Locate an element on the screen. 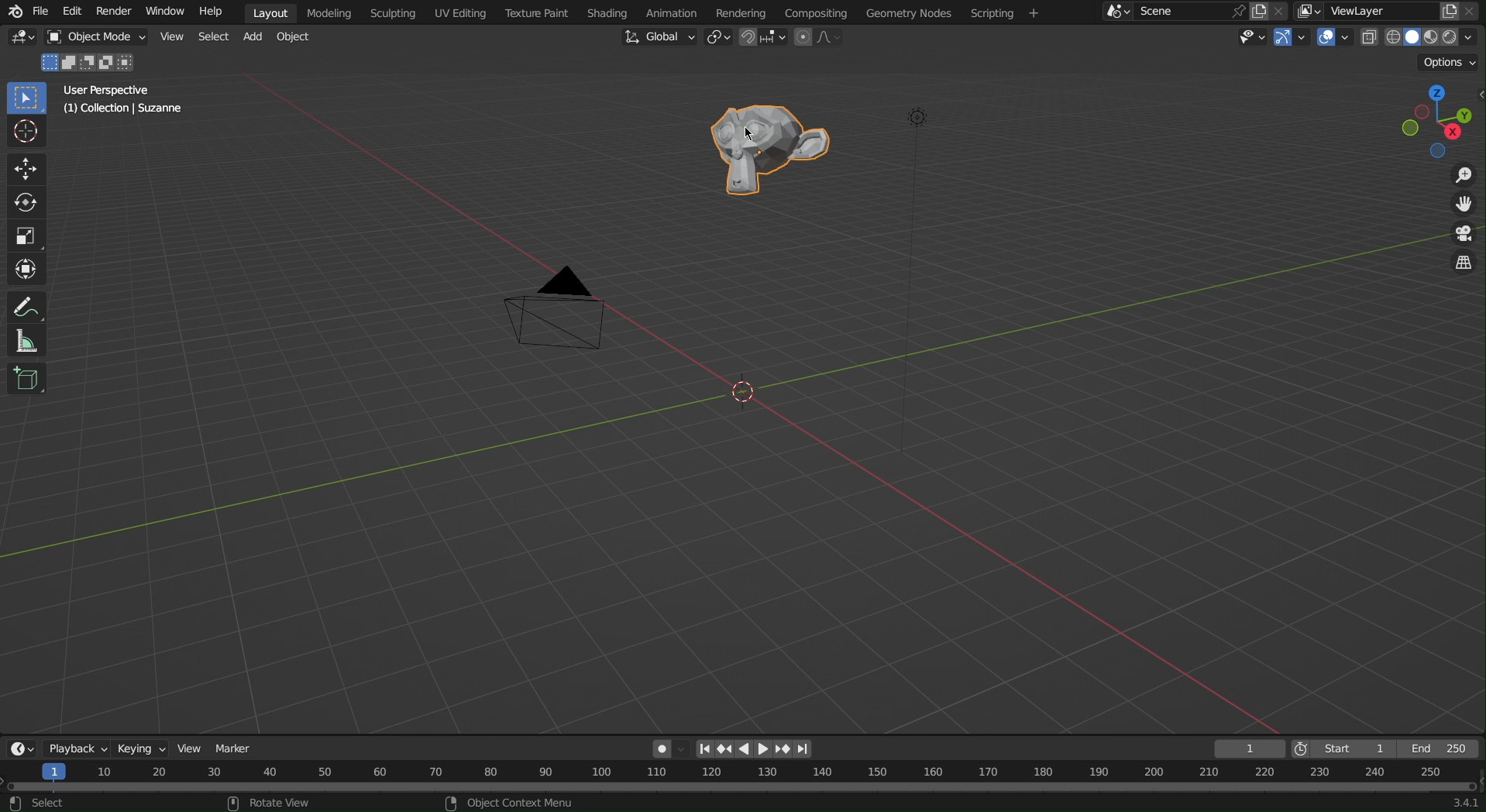  Geometry Nodes is located at coordinates (913, 14).